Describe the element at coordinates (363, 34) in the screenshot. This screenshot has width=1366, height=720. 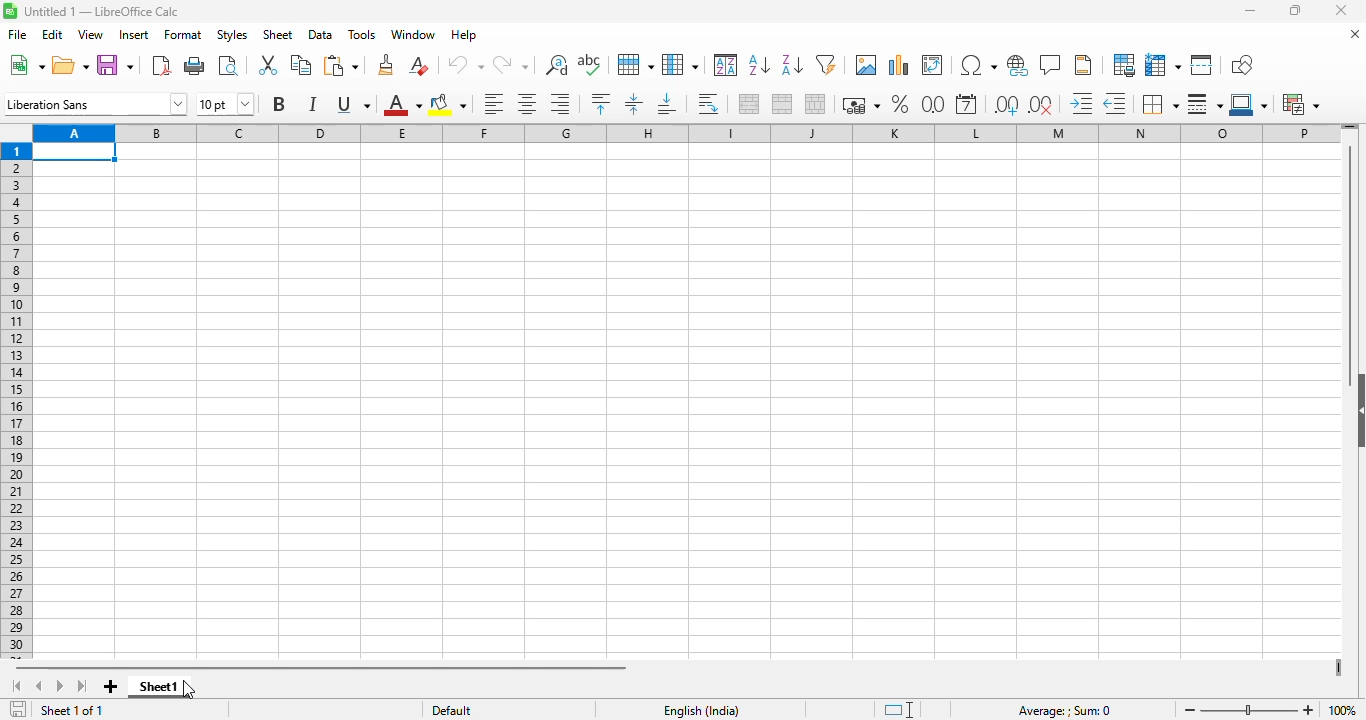
I see `tools` at that location.